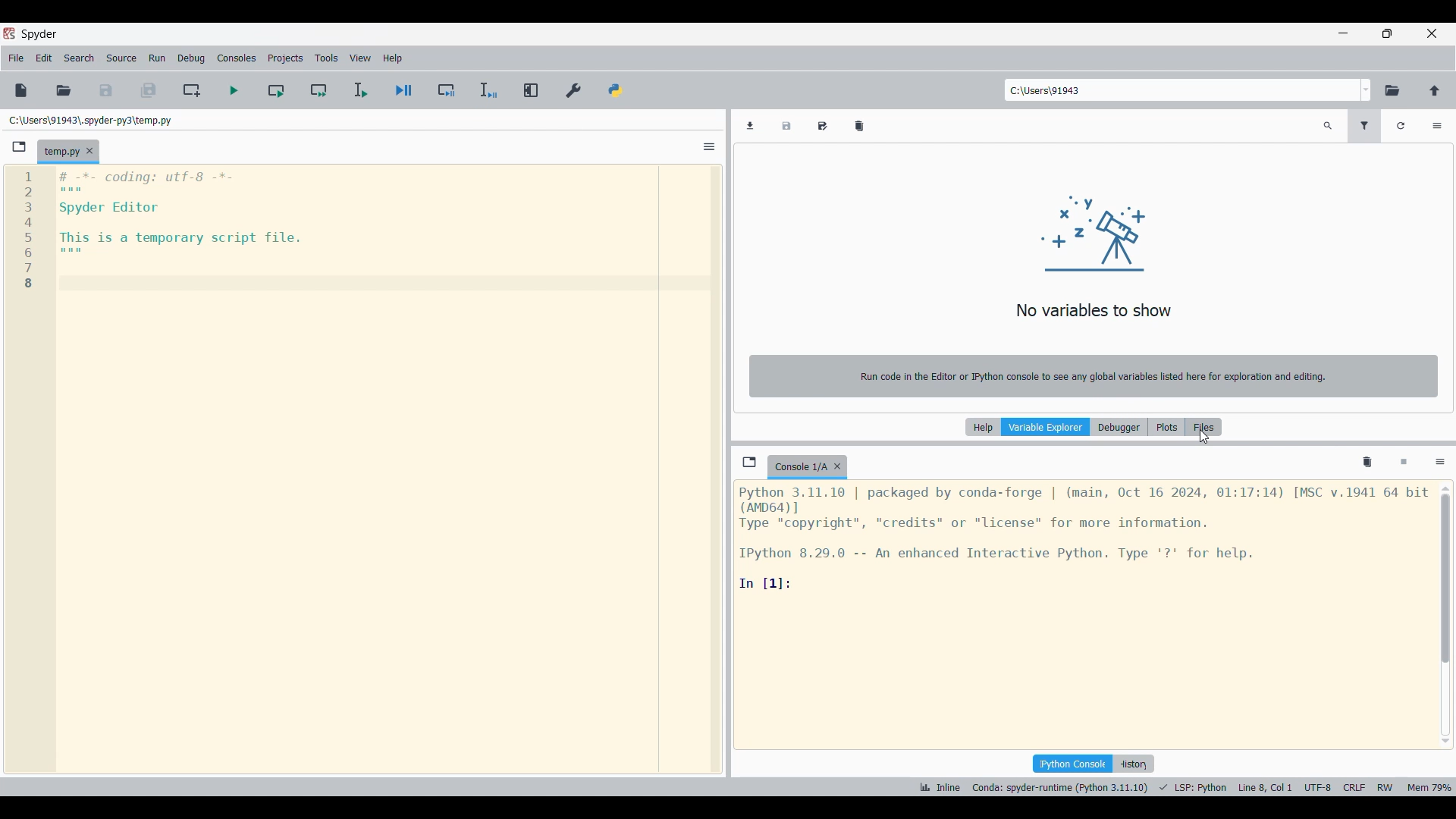  Describe the element at coordinates (60, 152) in the screenshot. I see `Current tab` at that location.